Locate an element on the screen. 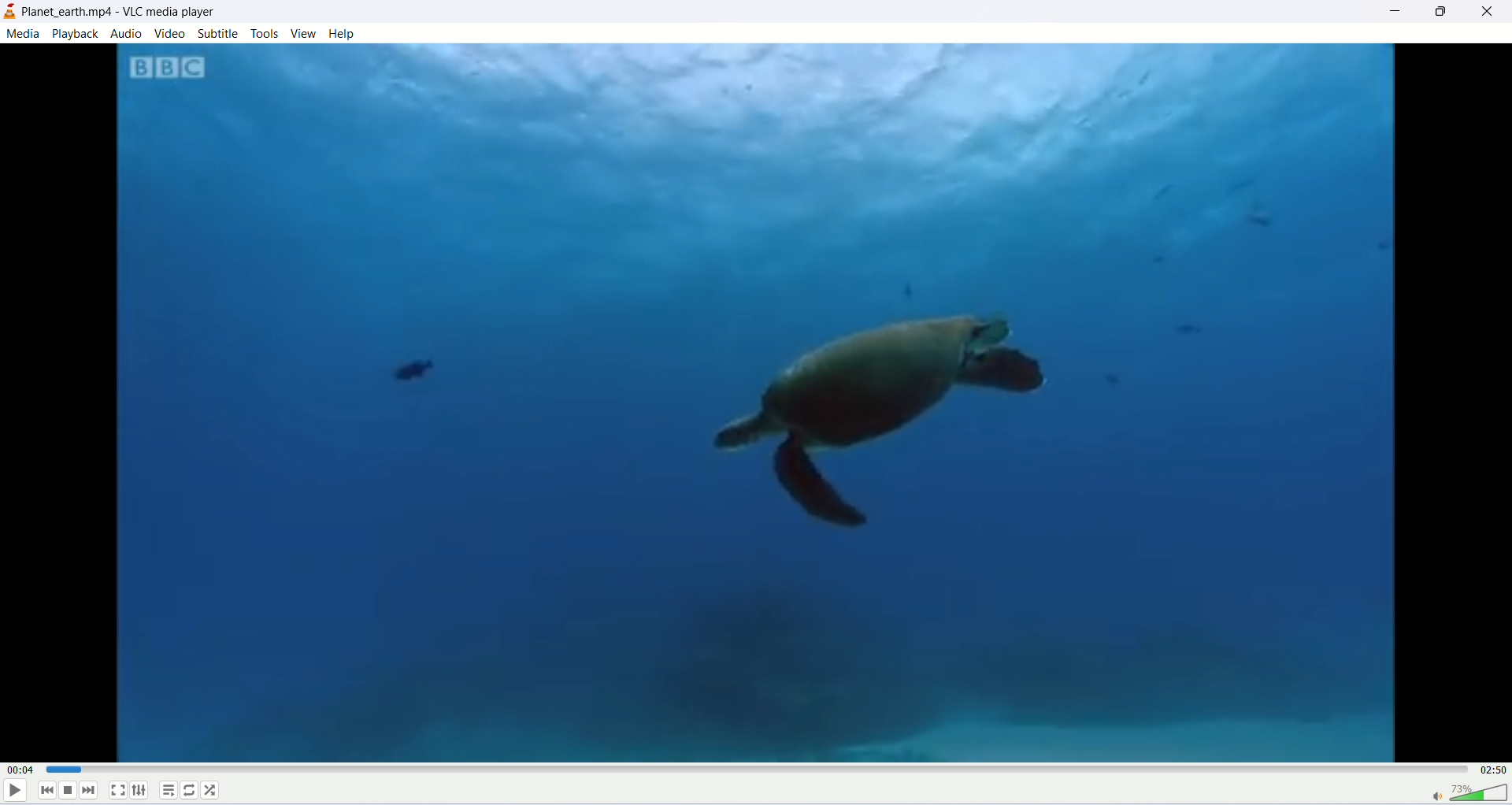 The height and width of the screenshot is (805, 1512). loop is located at coordinates (188, 792).